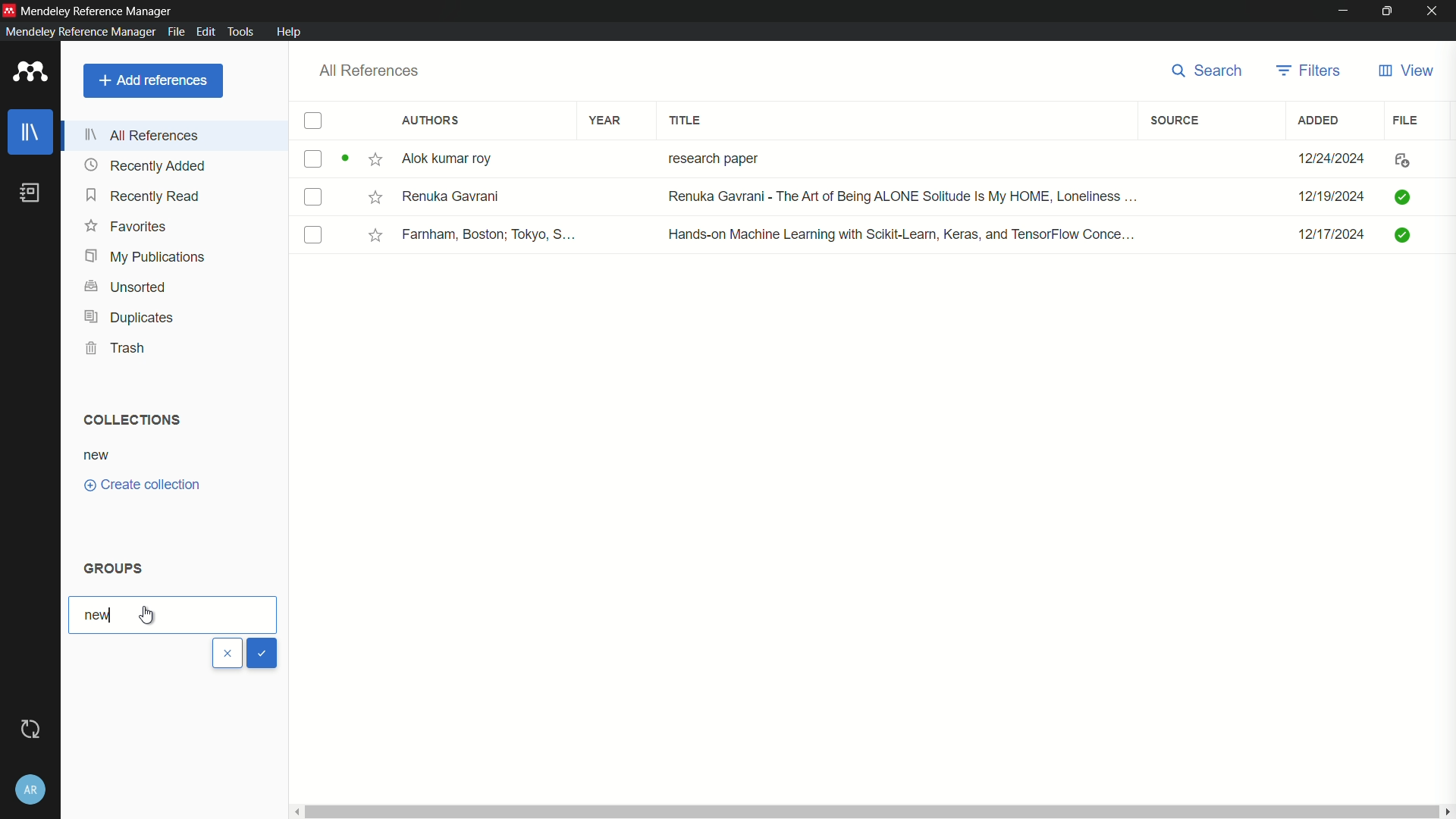 This screenshot has width=1456, height=819. What do you see at coordinates (128, 318) in the screenshot?
I see `duplicates` at bounding box center [128, 318].